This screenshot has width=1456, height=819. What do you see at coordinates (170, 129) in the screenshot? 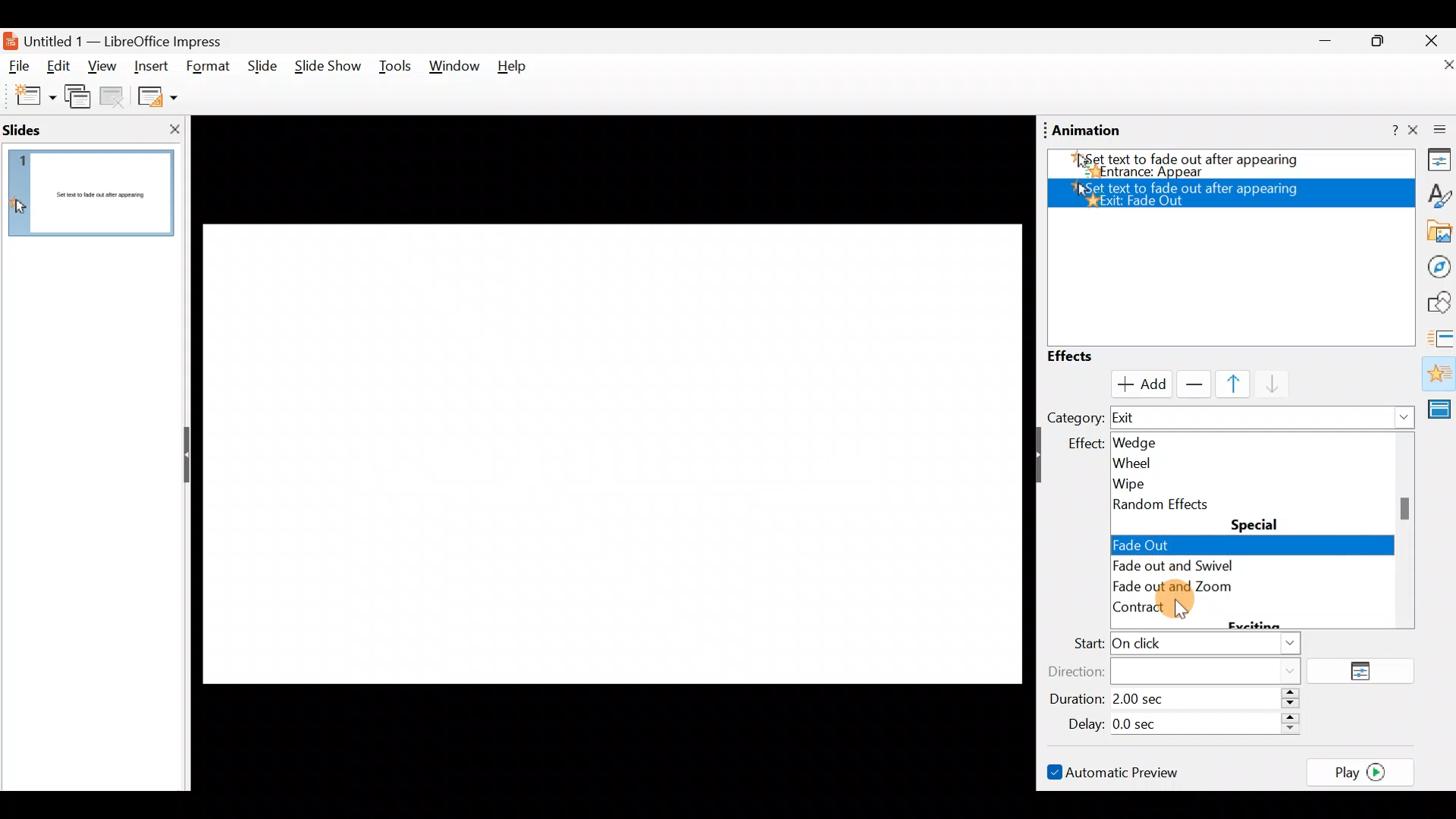
I see `Close slide pane` at bounding box center [170, 129].